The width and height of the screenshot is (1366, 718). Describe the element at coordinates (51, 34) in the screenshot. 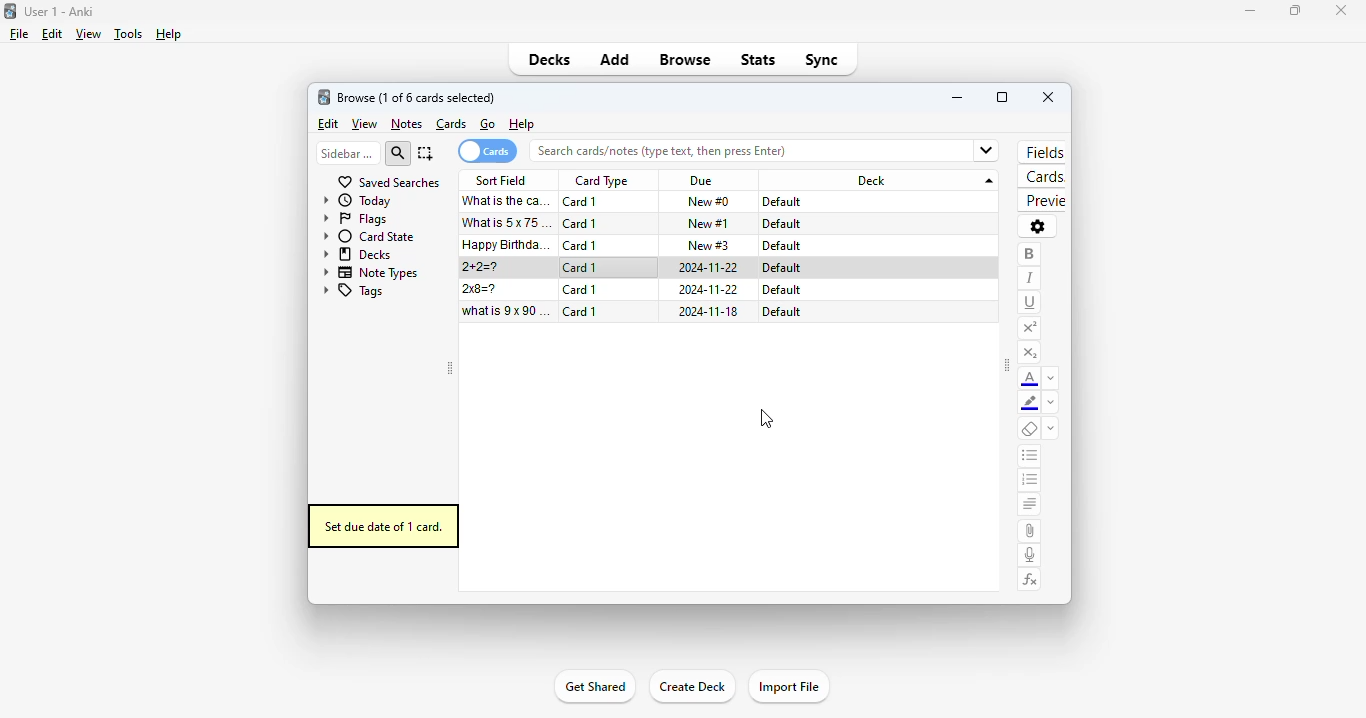

I see `edit` at that location.